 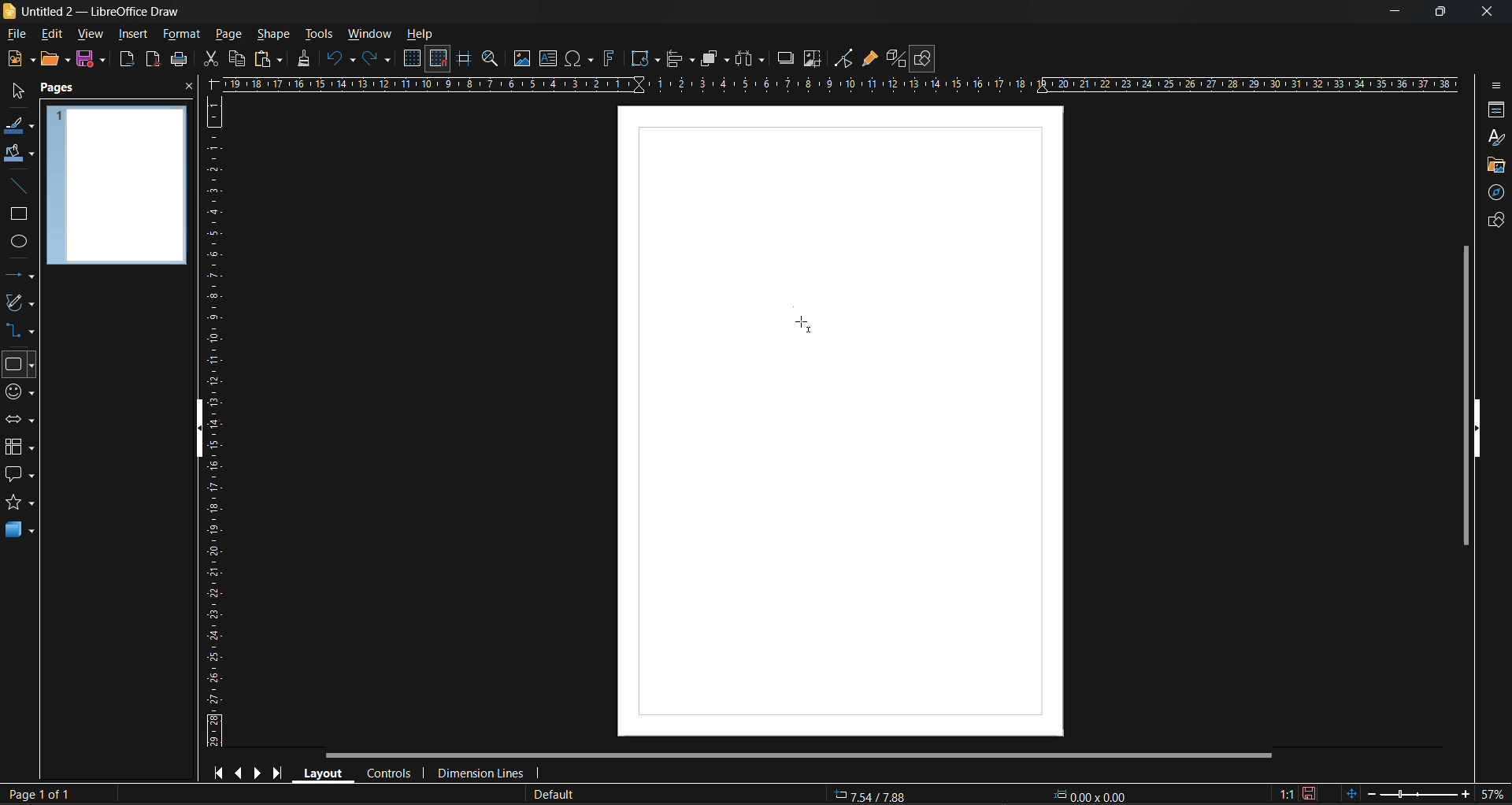 What do you see at coordinates (130, 34) in the screenshot?
I see `insert` at bounding box center [130, 34].